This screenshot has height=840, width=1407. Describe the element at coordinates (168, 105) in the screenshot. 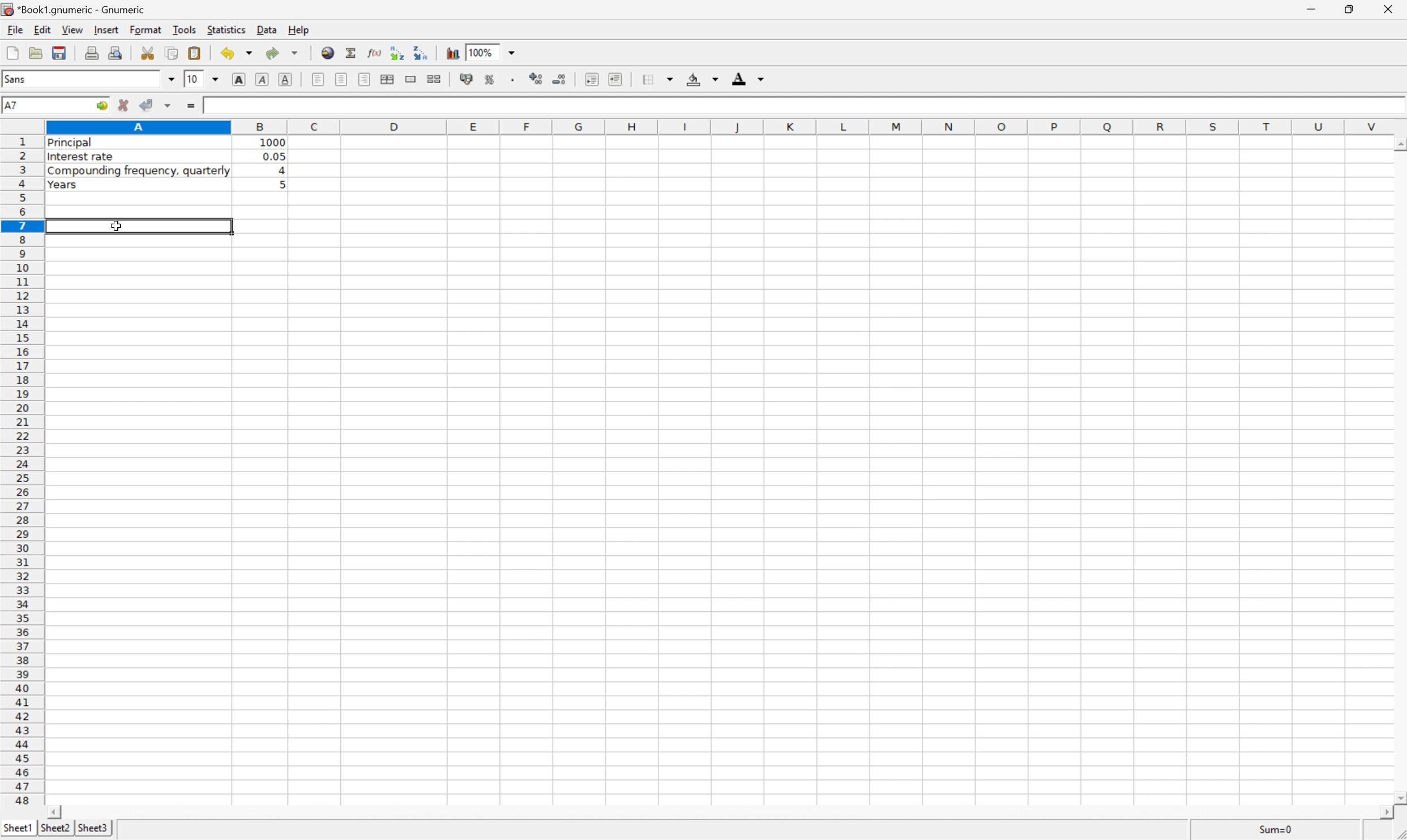

I see `accept changes across selection` at that location.